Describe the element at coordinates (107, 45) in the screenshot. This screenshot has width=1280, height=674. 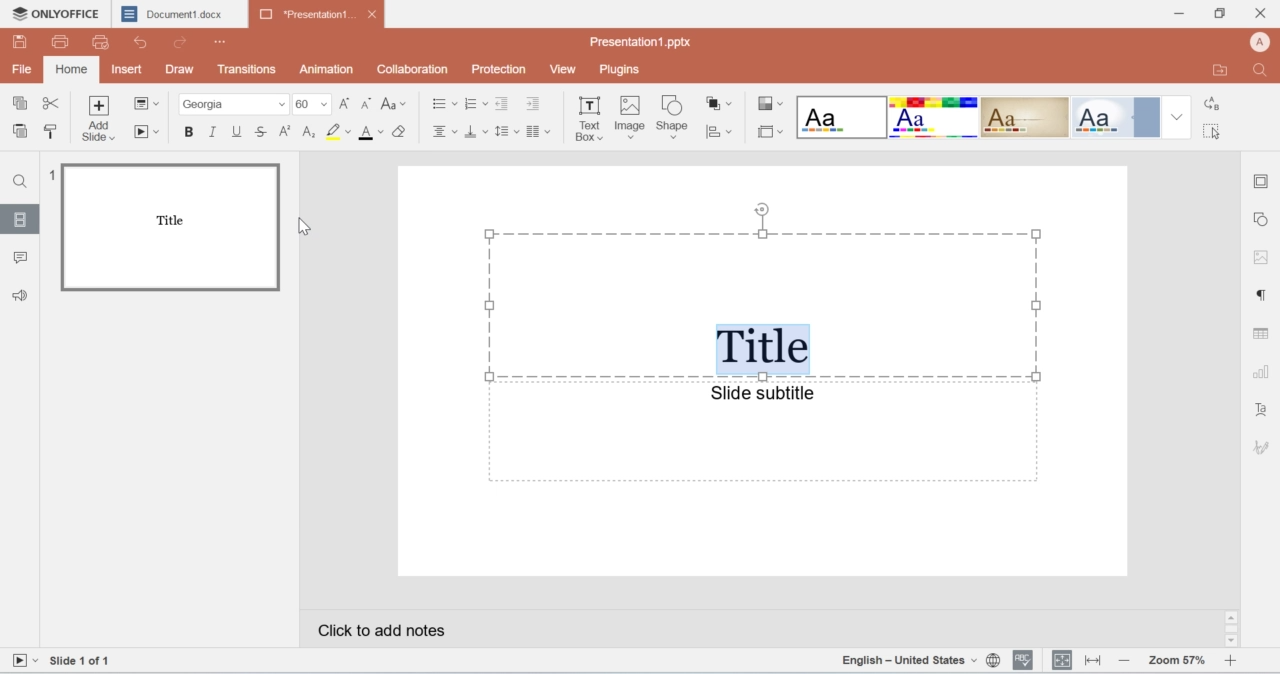
I see `preview` at that location.